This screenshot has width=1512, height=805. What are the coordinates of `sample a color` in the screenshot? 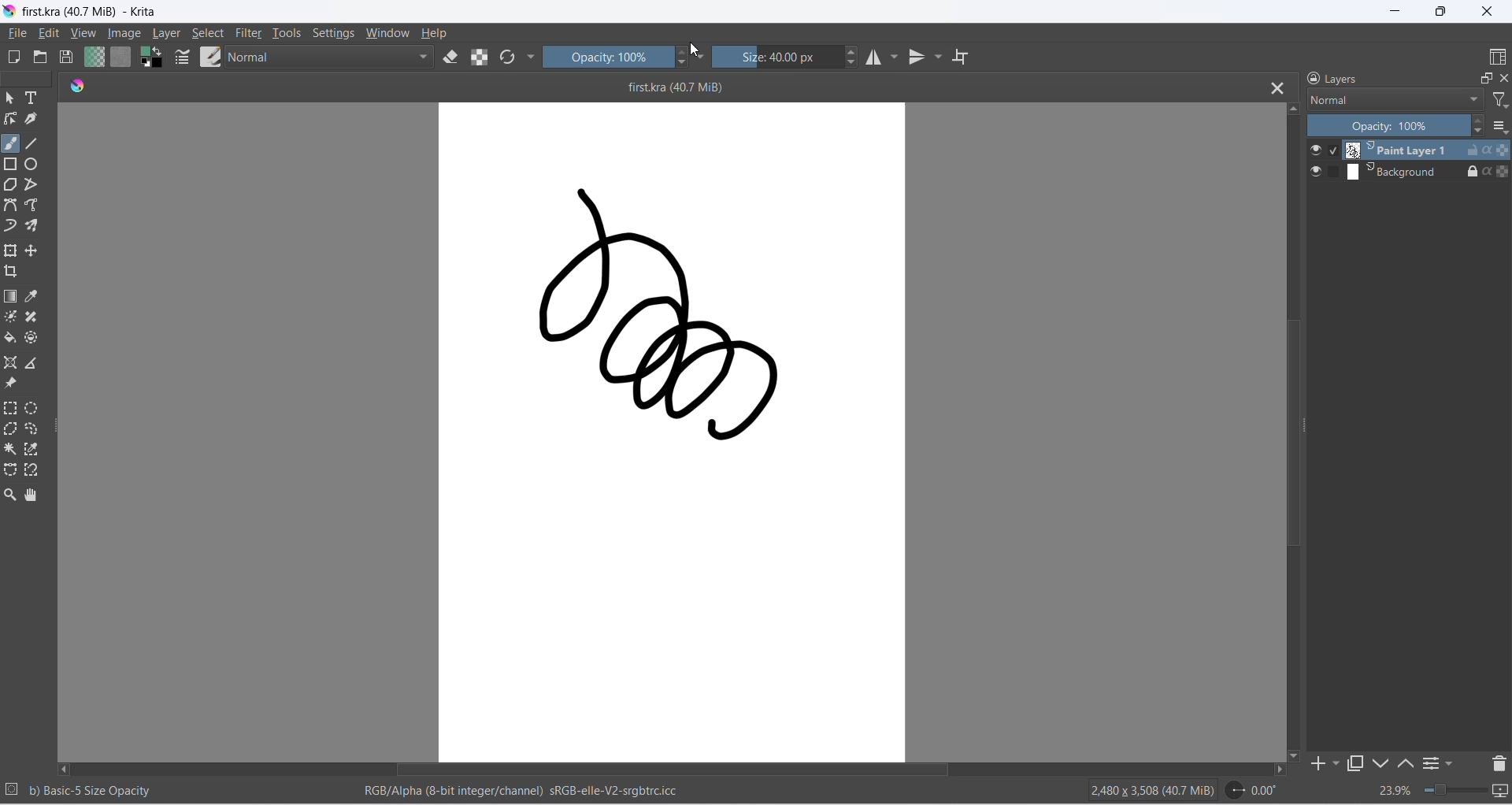 It's located at (31, 295).